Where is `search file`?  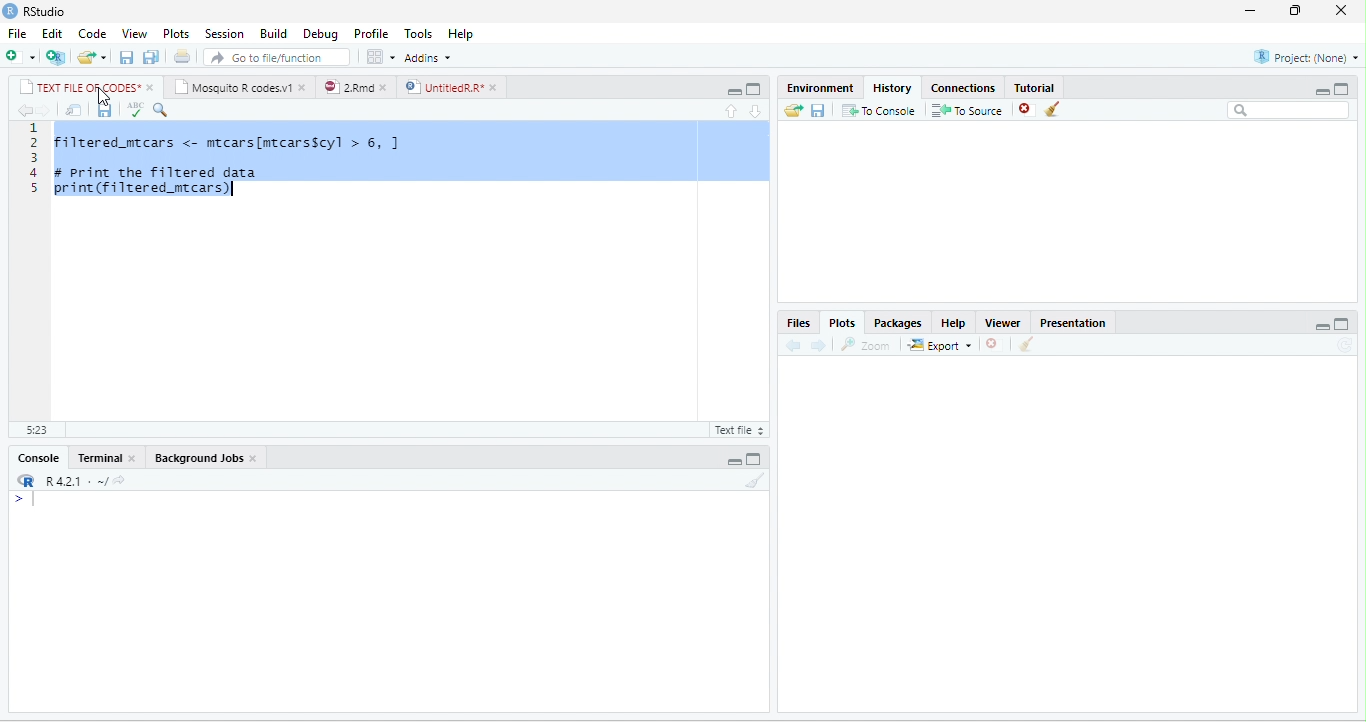
search file is located at coordinates (276, 58).